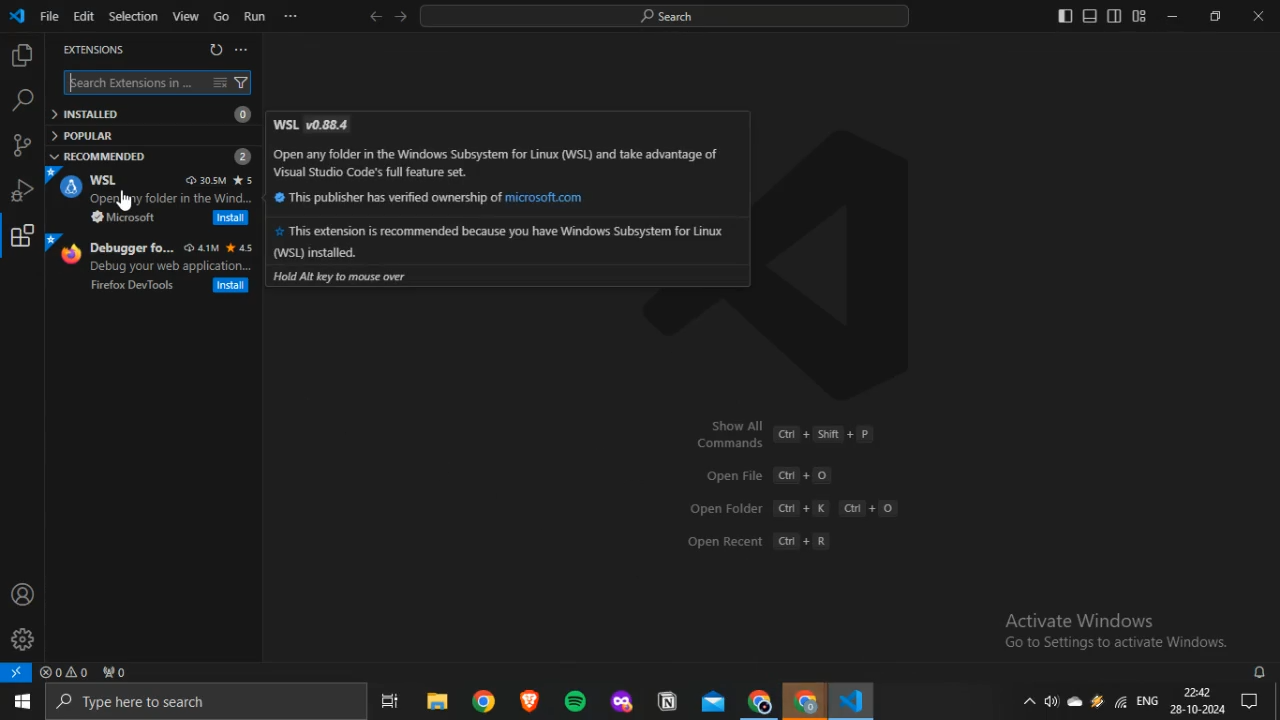 The height and width of the screenshot is (720, 1280). I want to click on close, so click(1258, 16).